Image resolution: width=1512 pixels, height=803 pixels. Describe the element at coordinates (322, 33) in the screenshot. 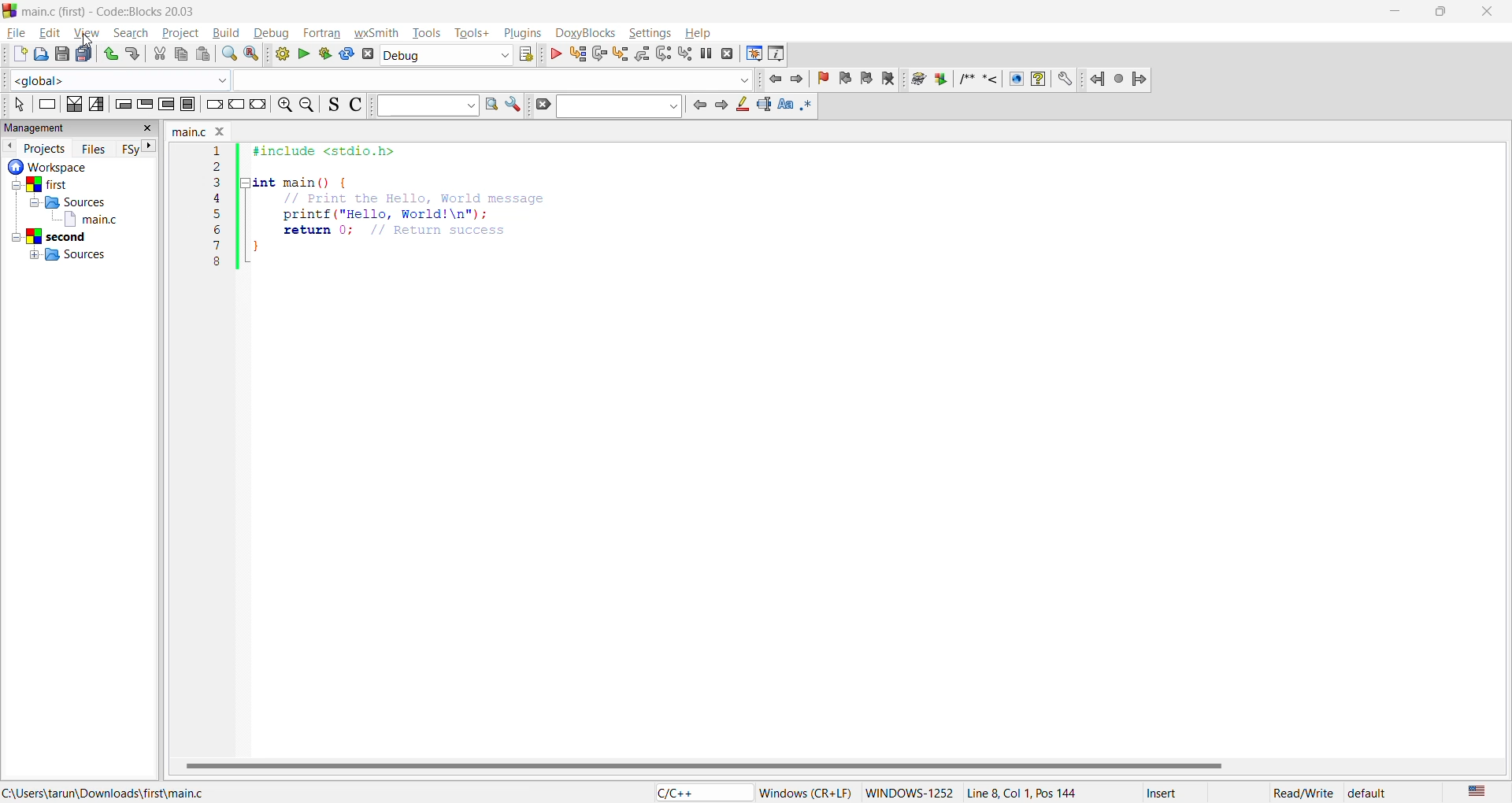

I see `fortran` at that location.